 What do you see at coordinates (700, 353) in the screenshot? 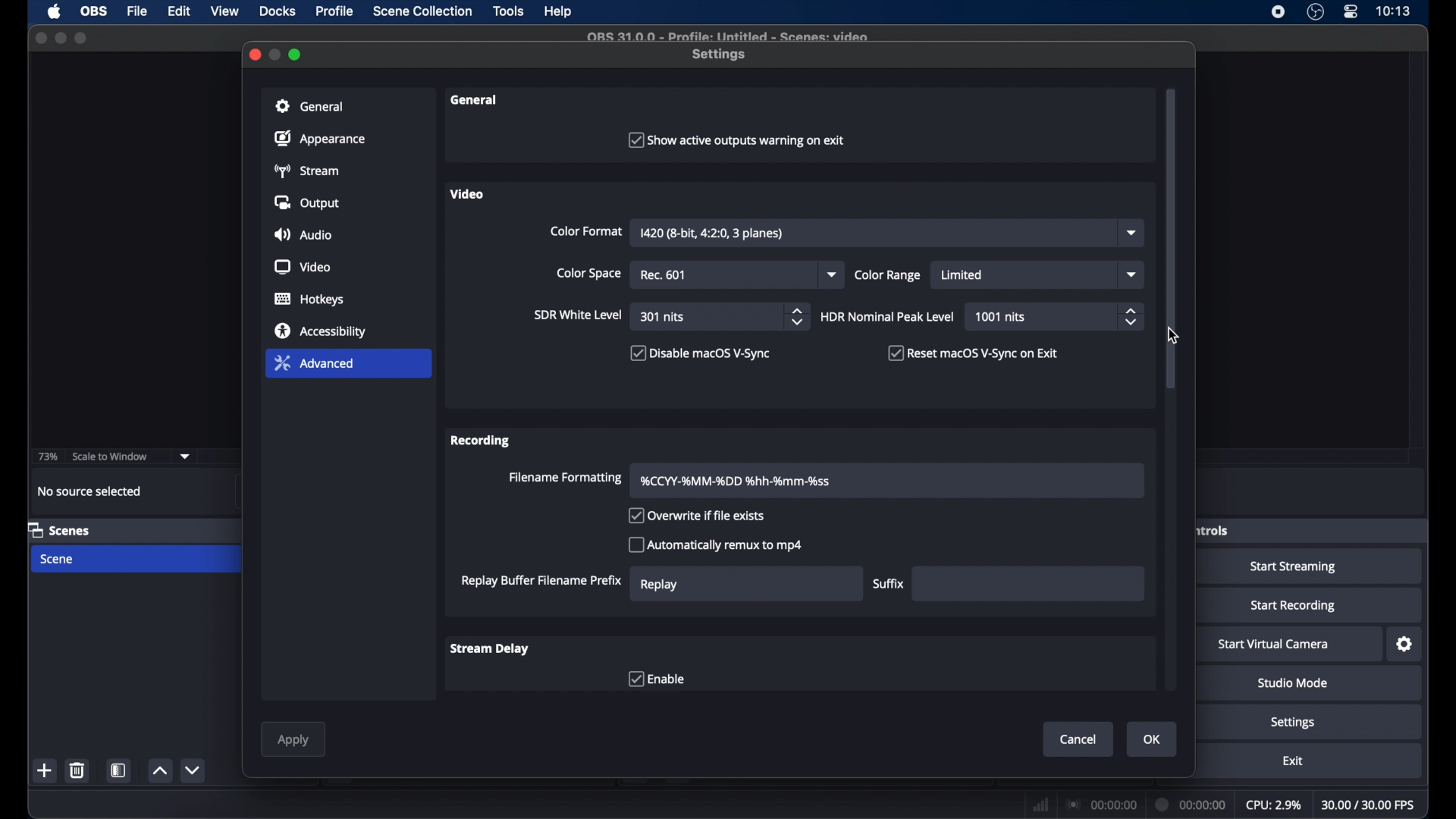
I see `checkbox` at bounding box center [700, 353].